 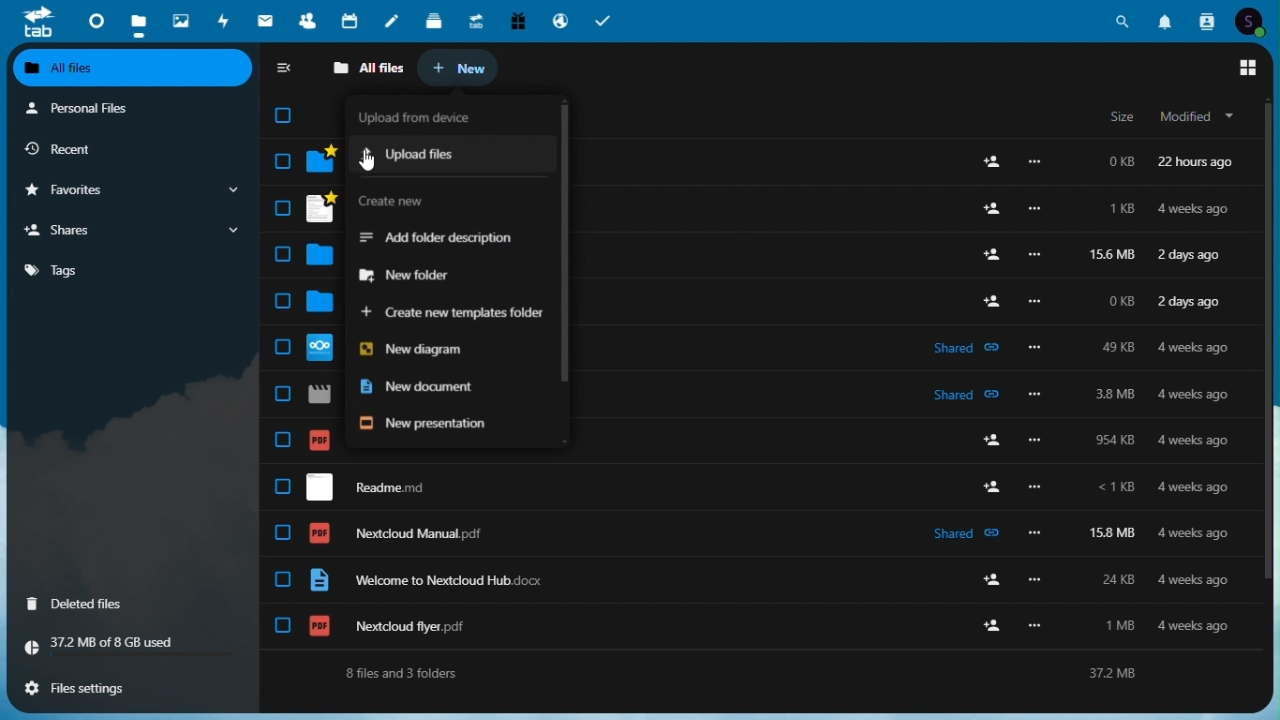 I want to click on create new, so click(x=440, y=202).